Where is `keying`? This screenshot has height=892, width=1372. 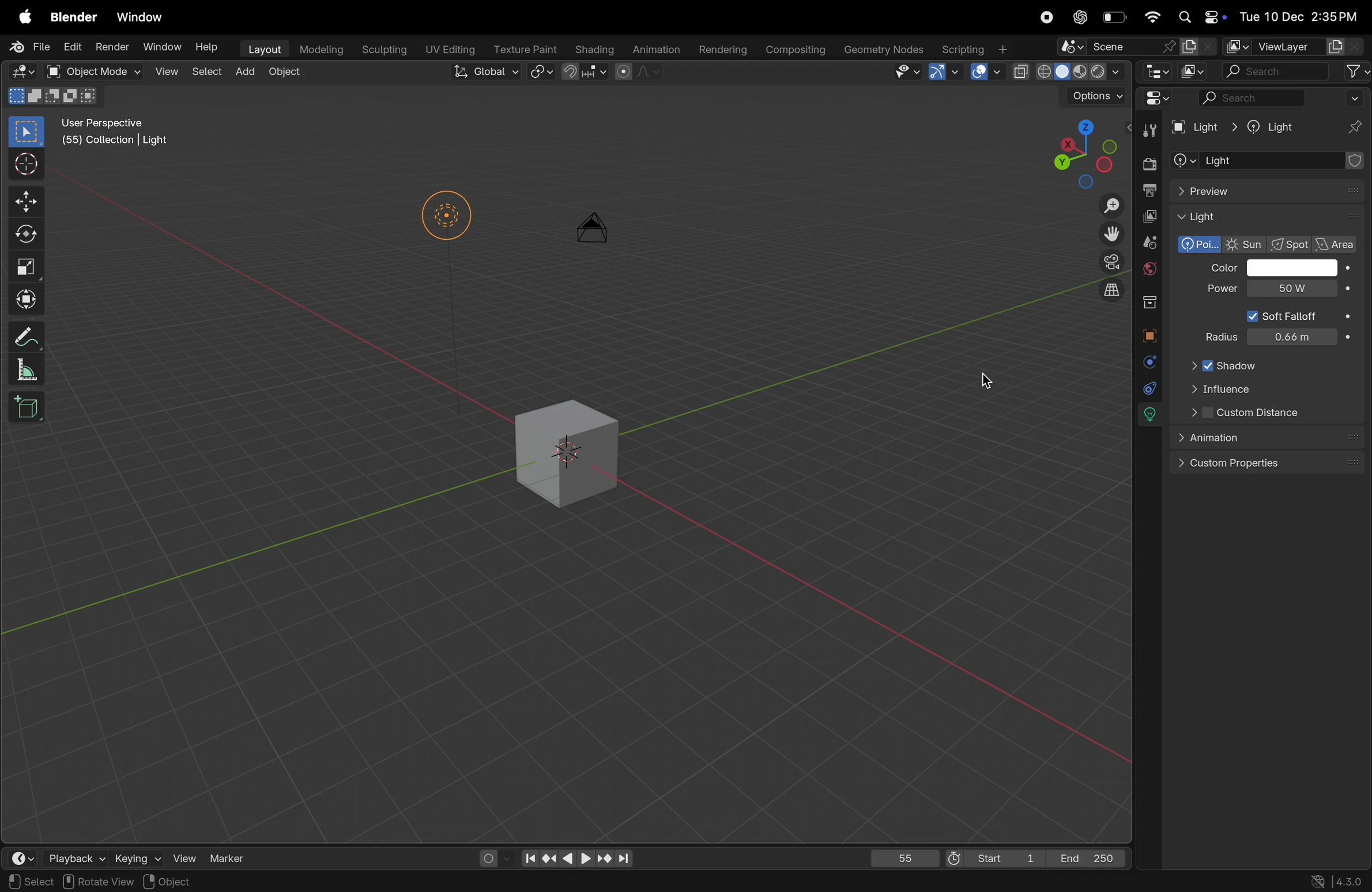 keying is located at coordinates (138, 857).